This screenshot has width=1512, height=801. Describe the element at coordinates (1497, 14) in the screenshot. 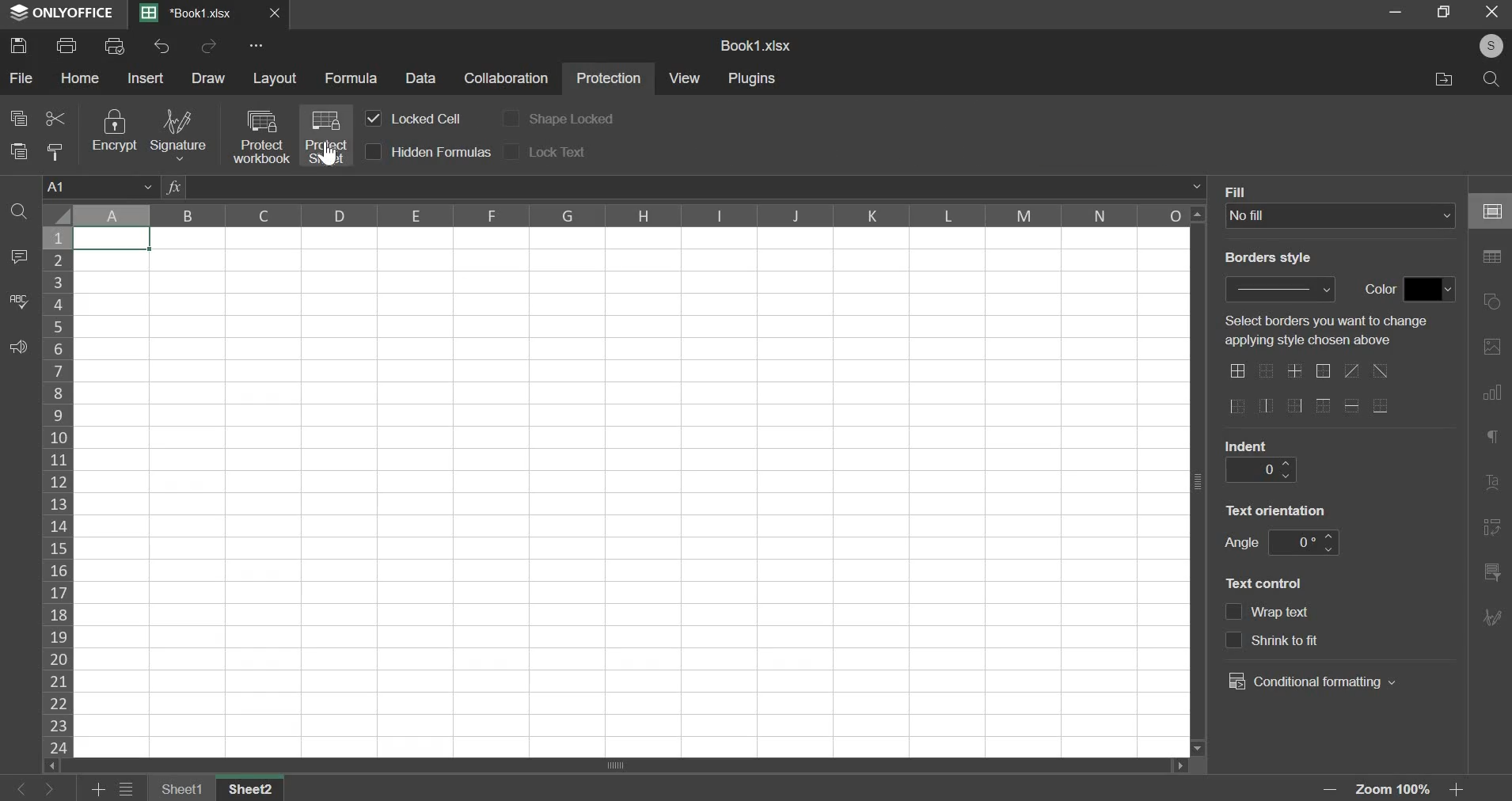

I see `Cancel` at that location.